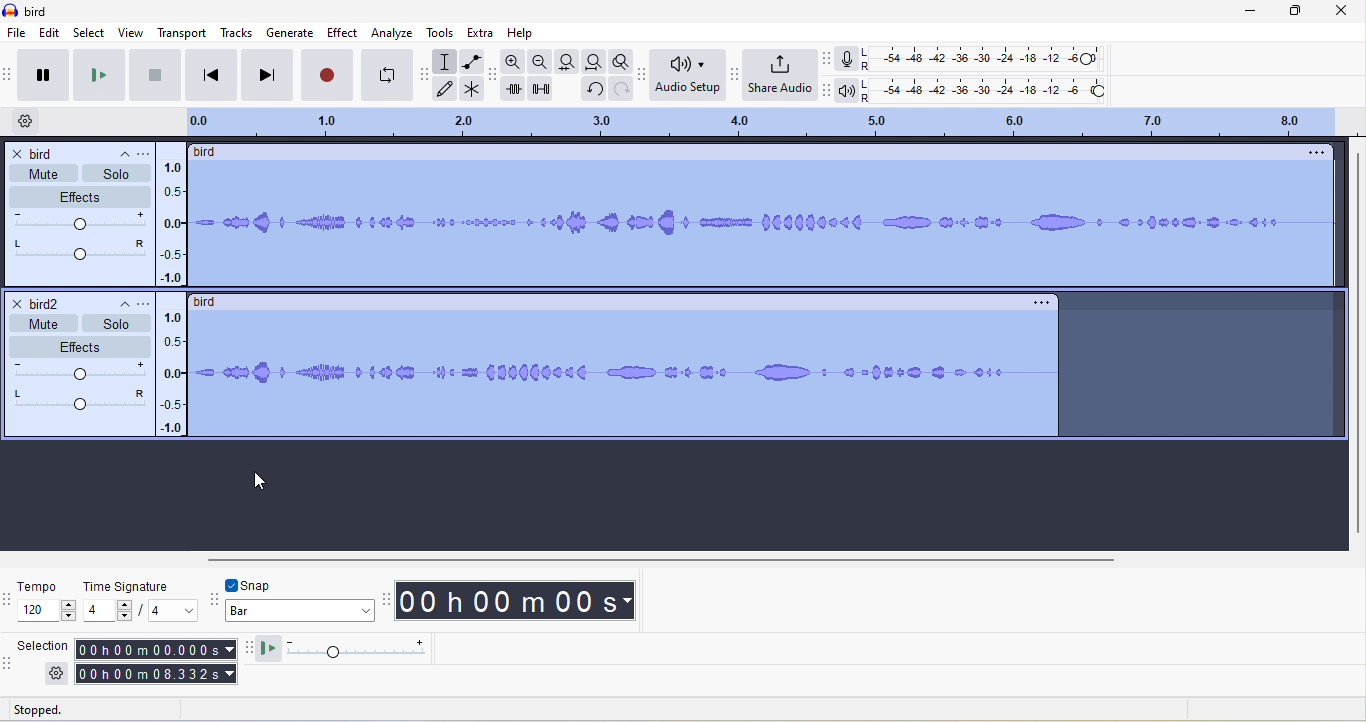  I want to click on volume, so click(82, 370).